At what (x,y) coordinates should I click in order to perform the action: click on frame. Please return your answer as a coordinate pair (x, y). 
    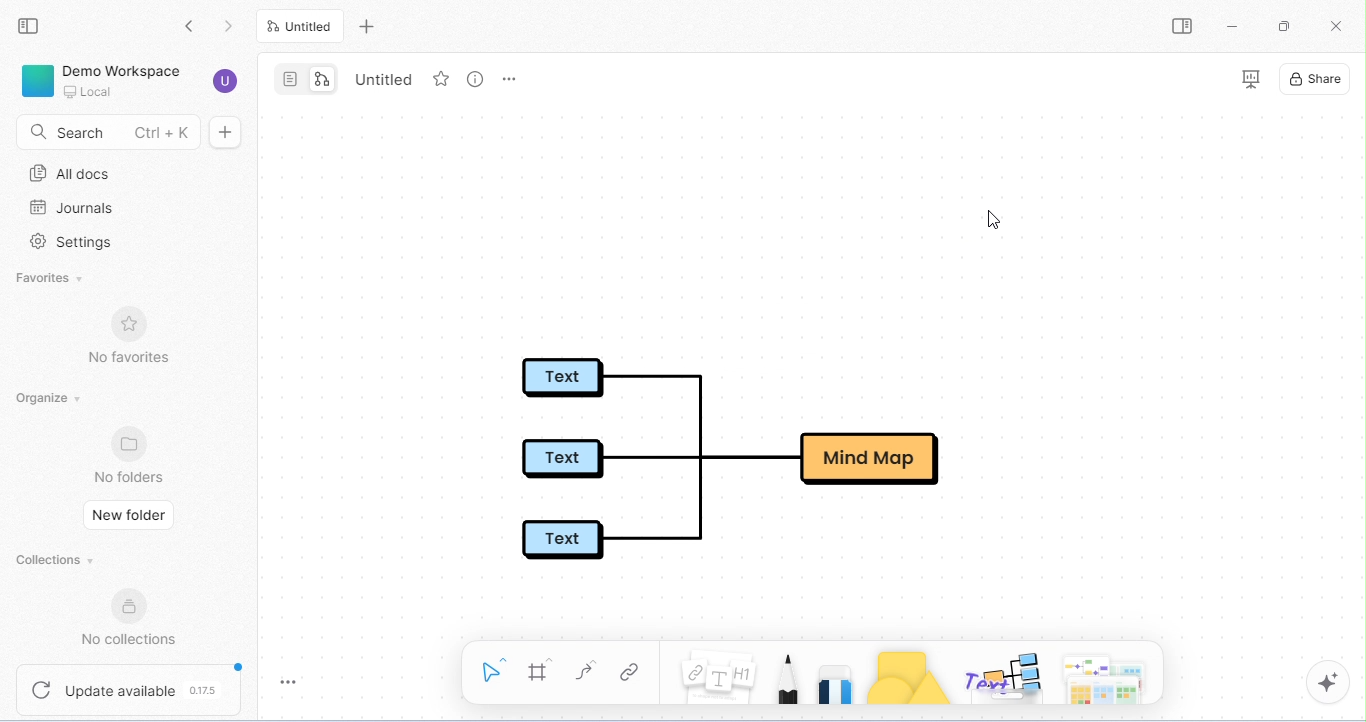
    Looking at the image, I should click on (540, 672).